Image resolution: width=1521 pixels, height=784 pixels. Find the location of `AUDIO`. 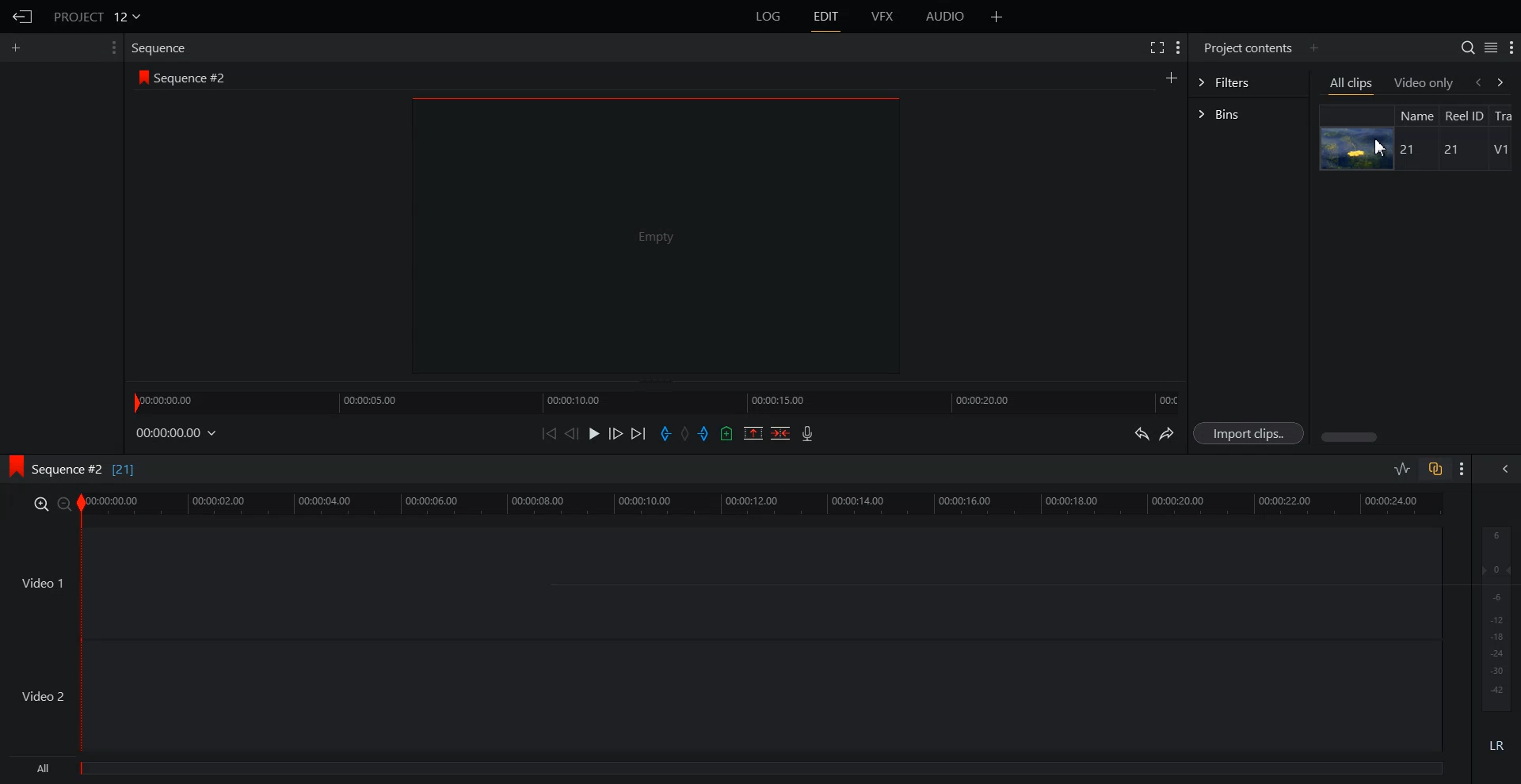

AUDIO is located at coordinates (944, 17).